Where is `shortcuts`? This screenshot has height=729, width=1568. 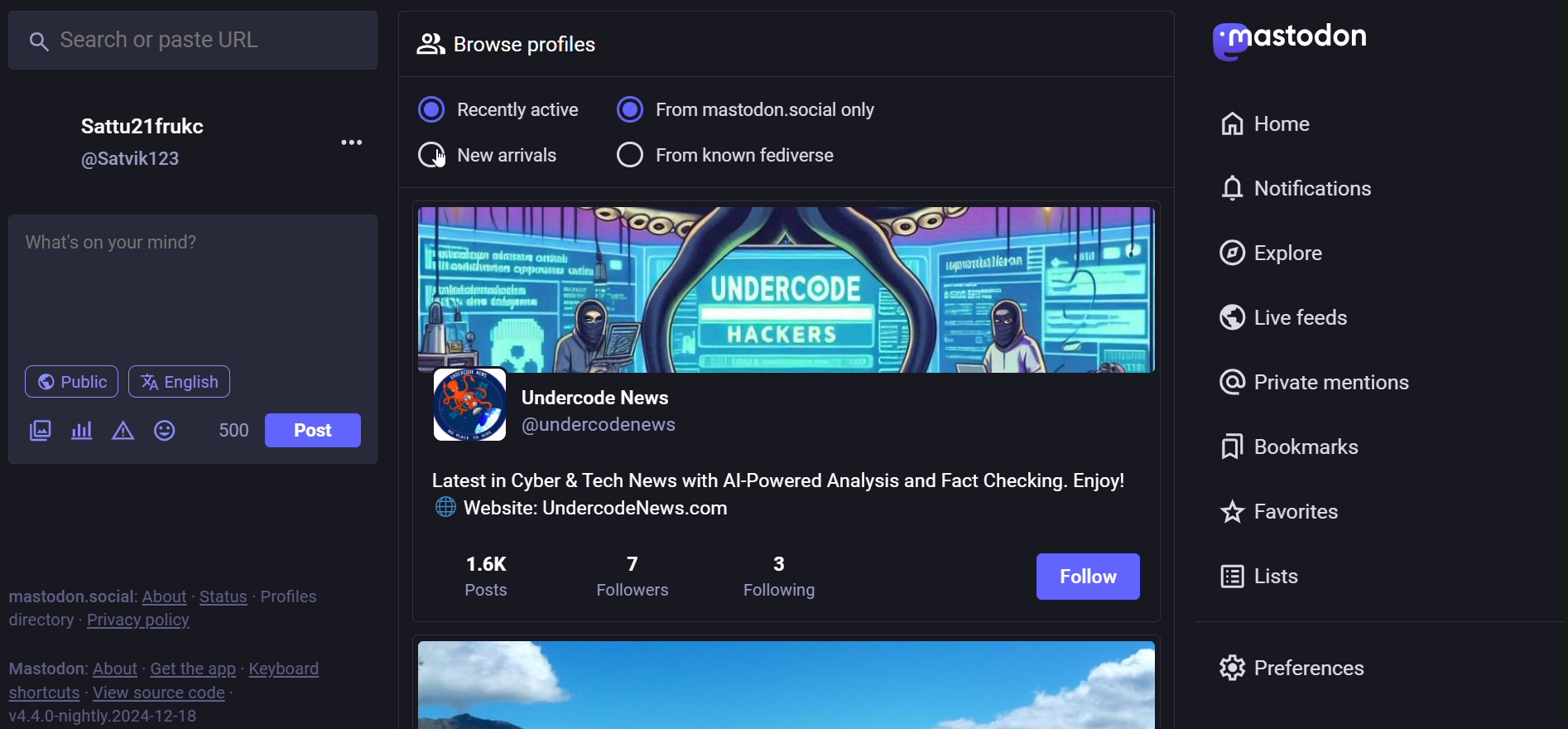 shortcuts is located at coordinates (42, 692).